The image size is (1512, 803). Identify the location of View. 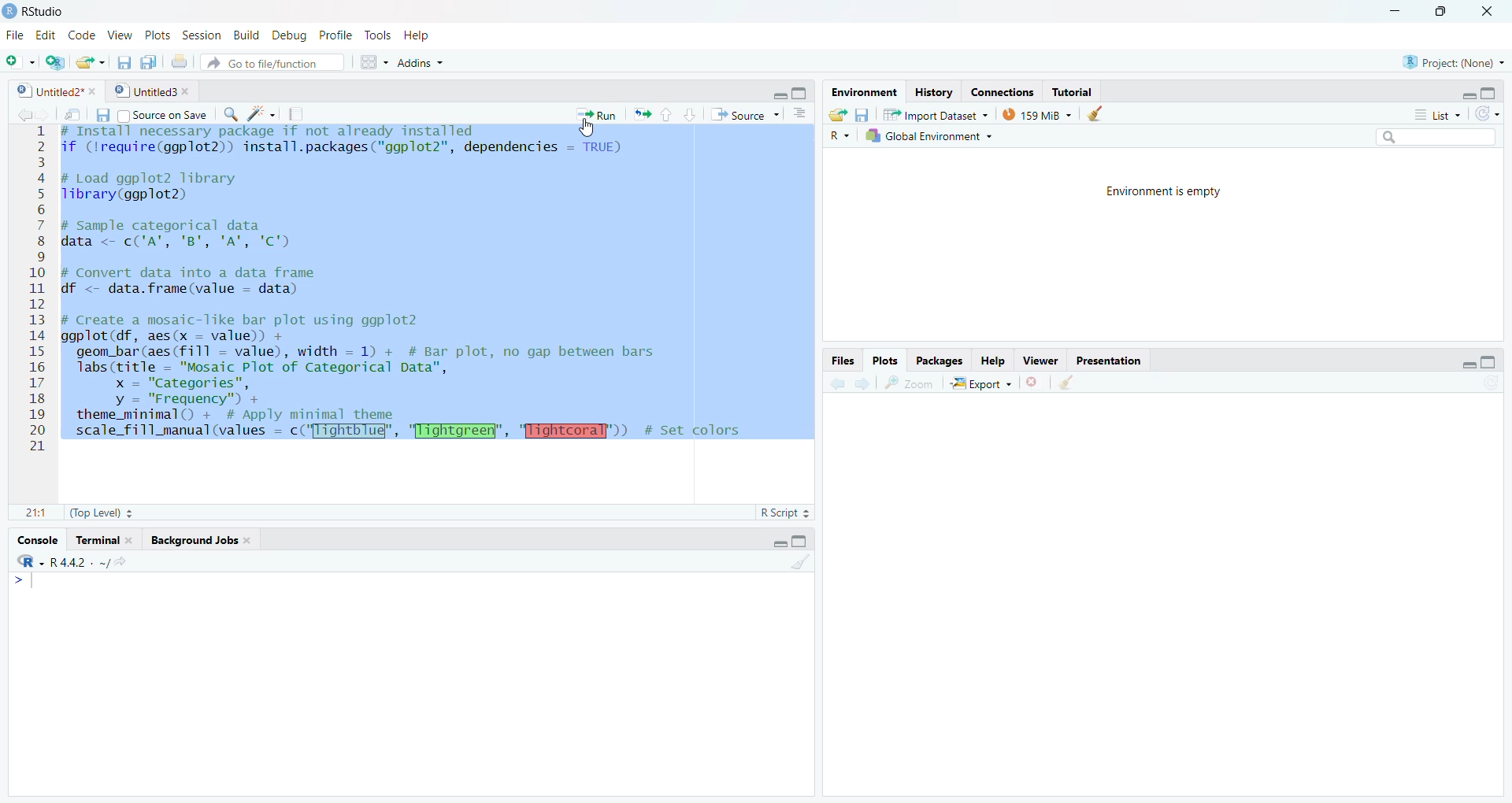
(120, 36).